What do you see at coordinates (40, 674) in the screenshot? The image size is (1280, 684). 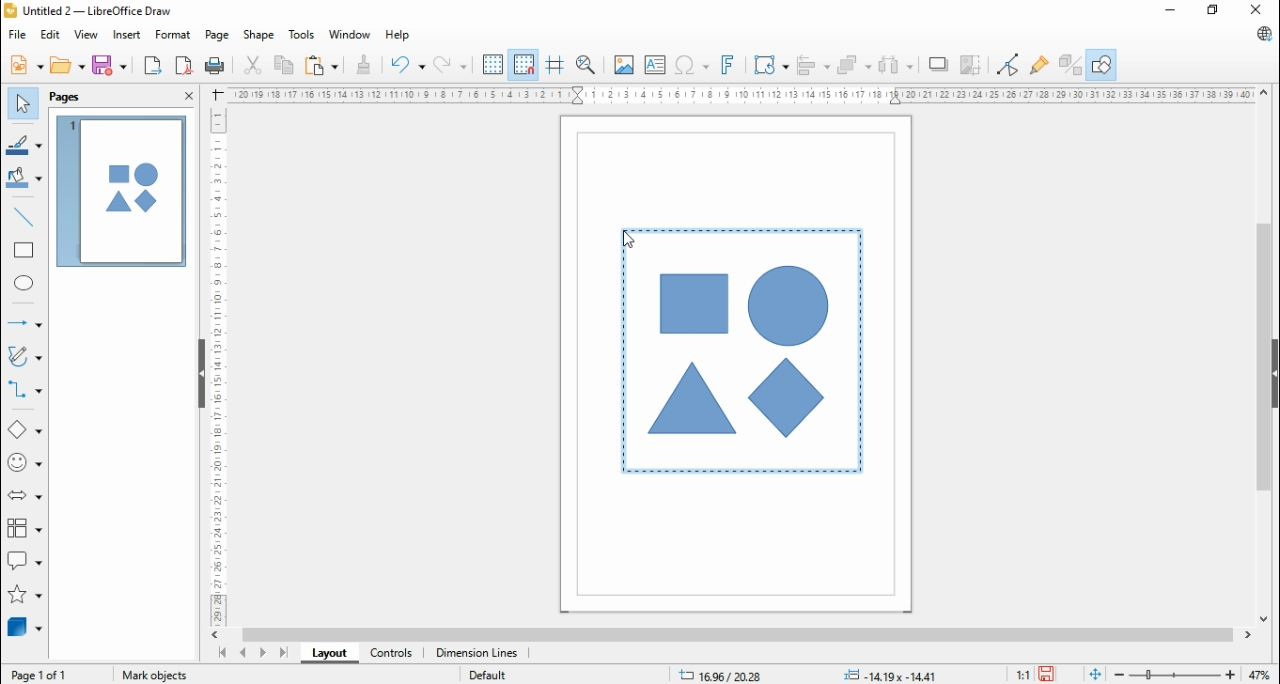 I see `page 1of 1` at bounding box center [40, 674].